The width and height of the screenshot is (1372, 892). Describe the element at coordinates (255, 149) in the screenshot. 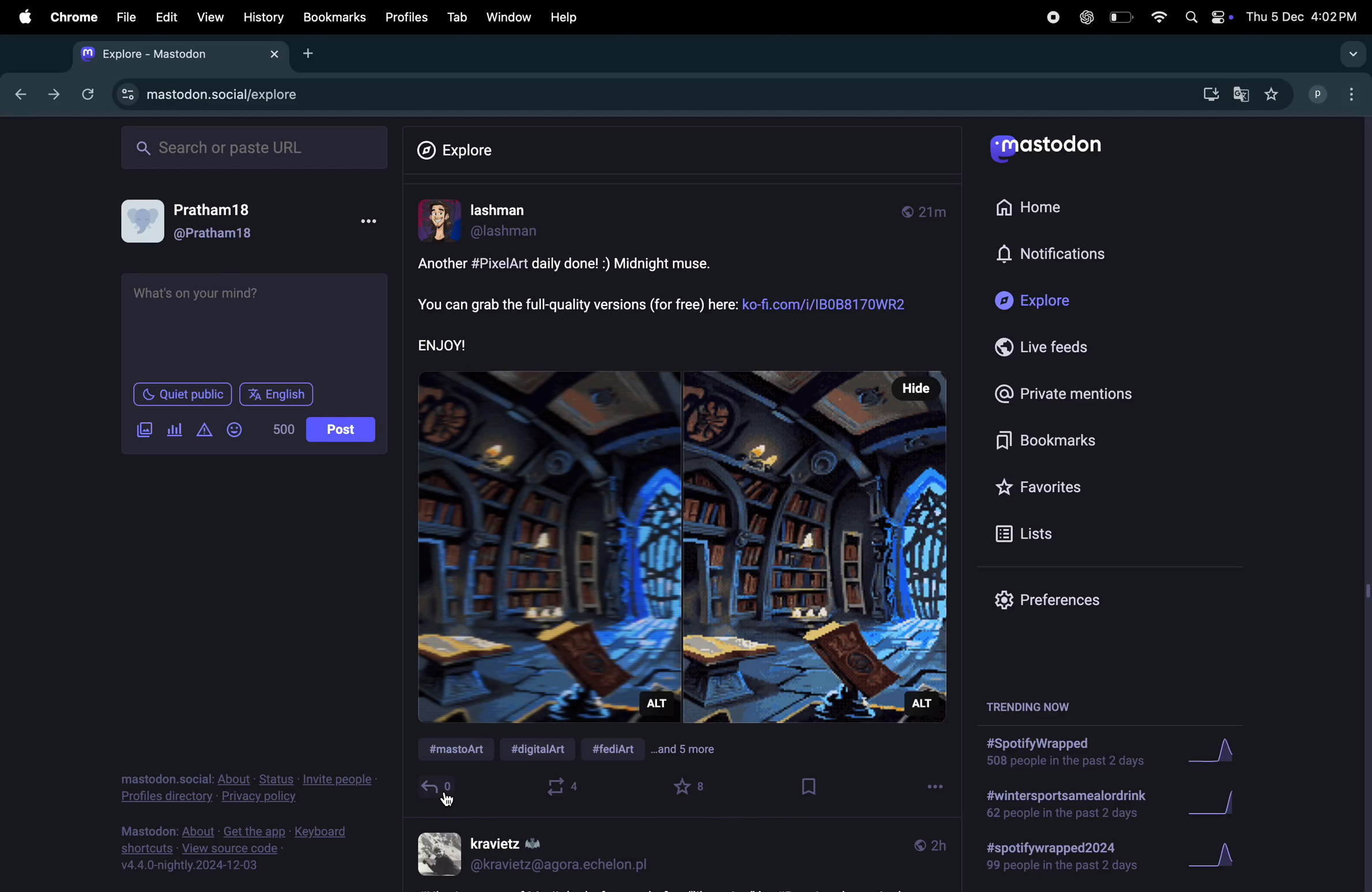

I see `search url` at that location.